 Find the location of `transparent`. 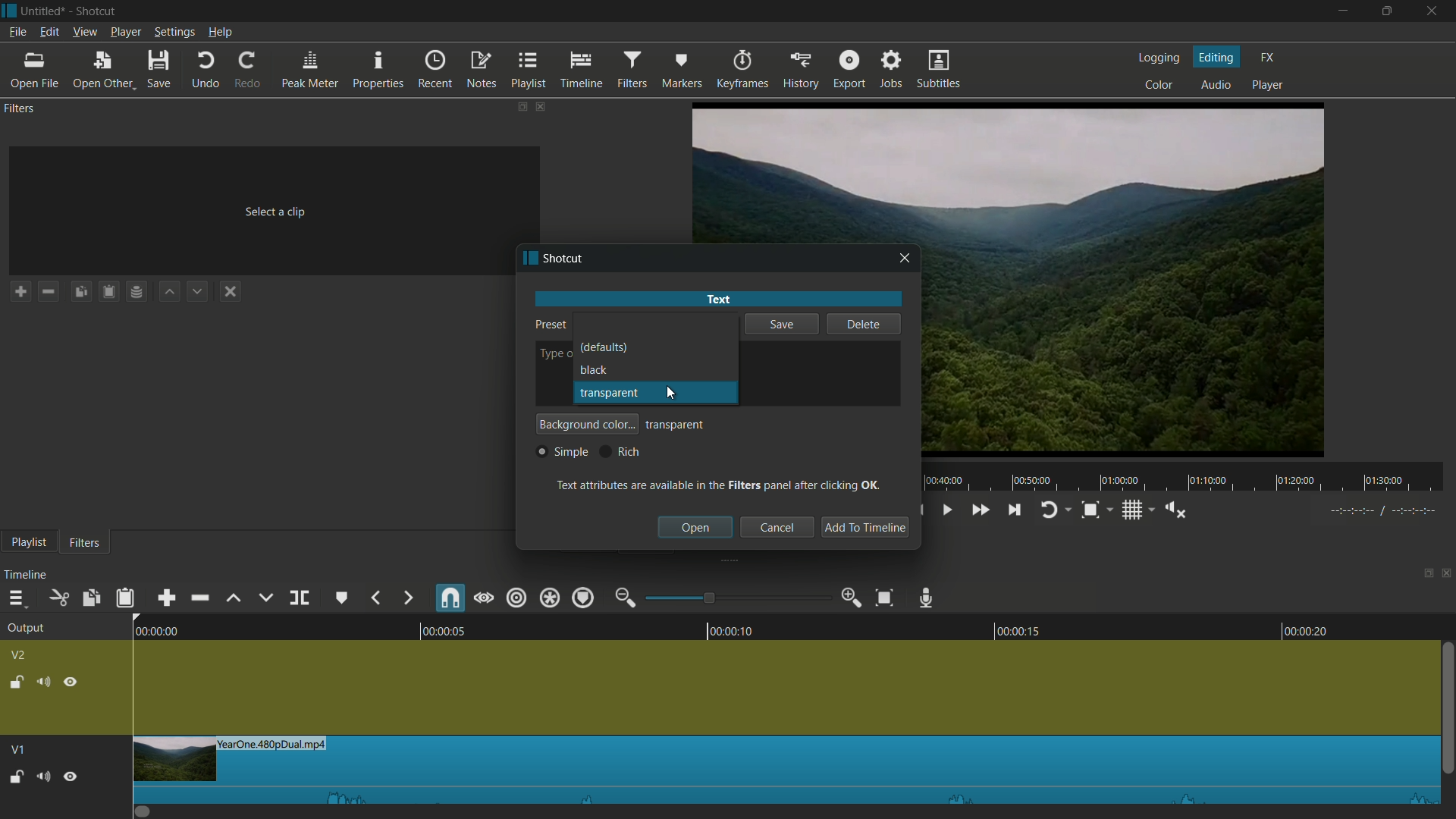

transparent is located at coordinates (608, 393).